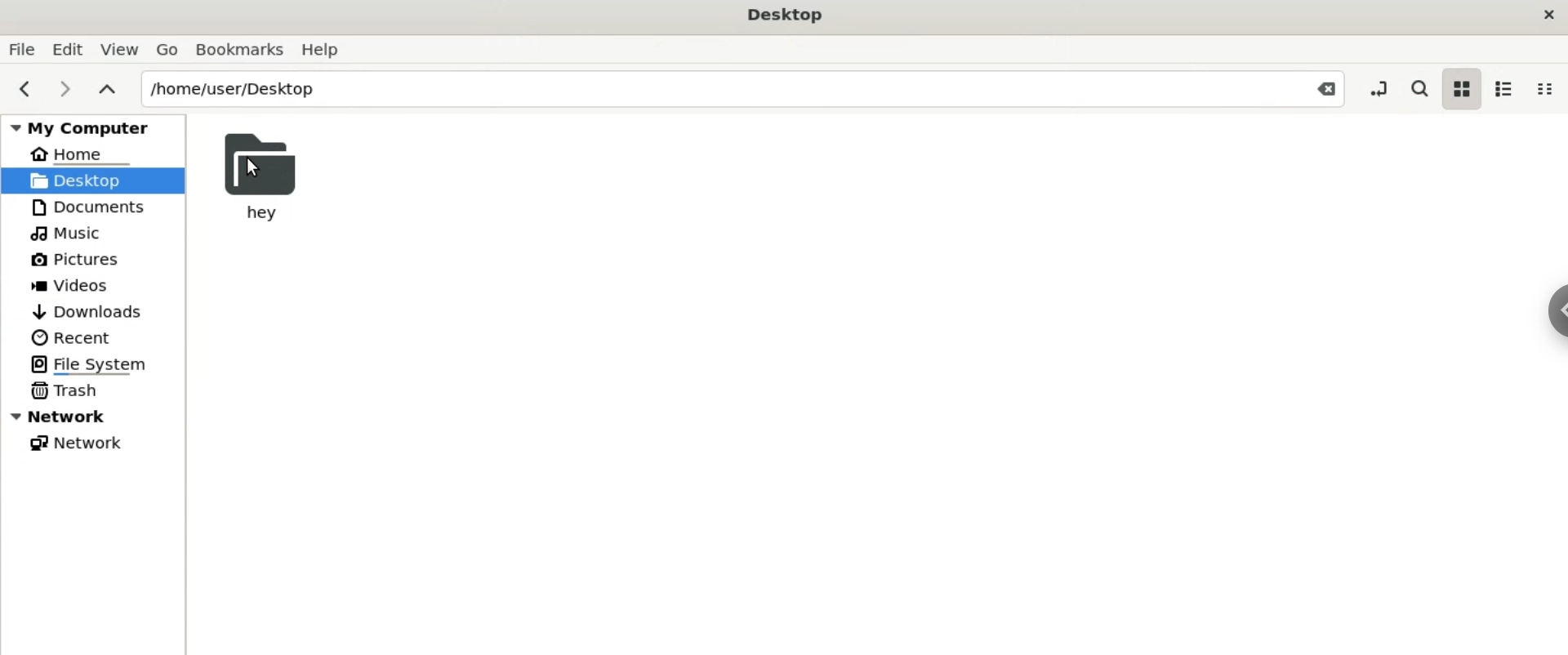  Describe the element at coordinates (1501, 91) in the screenshot. I see `list view` at that location.